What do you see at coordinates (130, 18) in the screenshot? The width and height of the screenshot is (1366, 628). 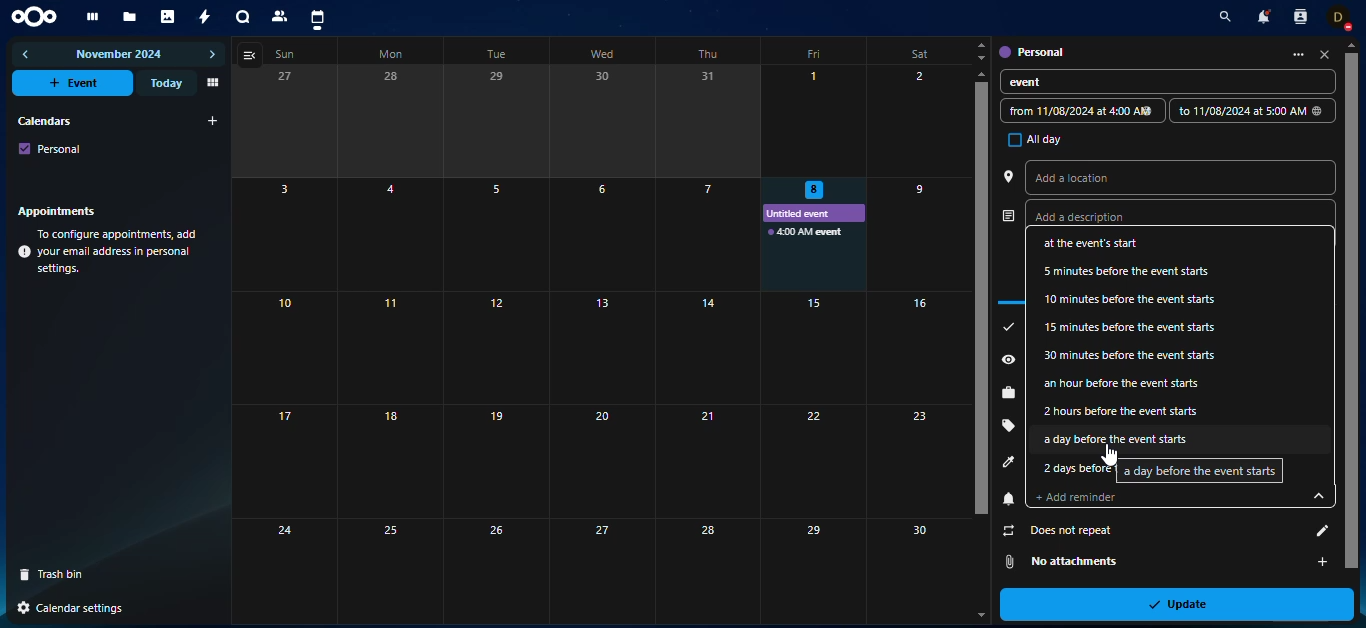 I see `files` at bounding box center [130, 18].